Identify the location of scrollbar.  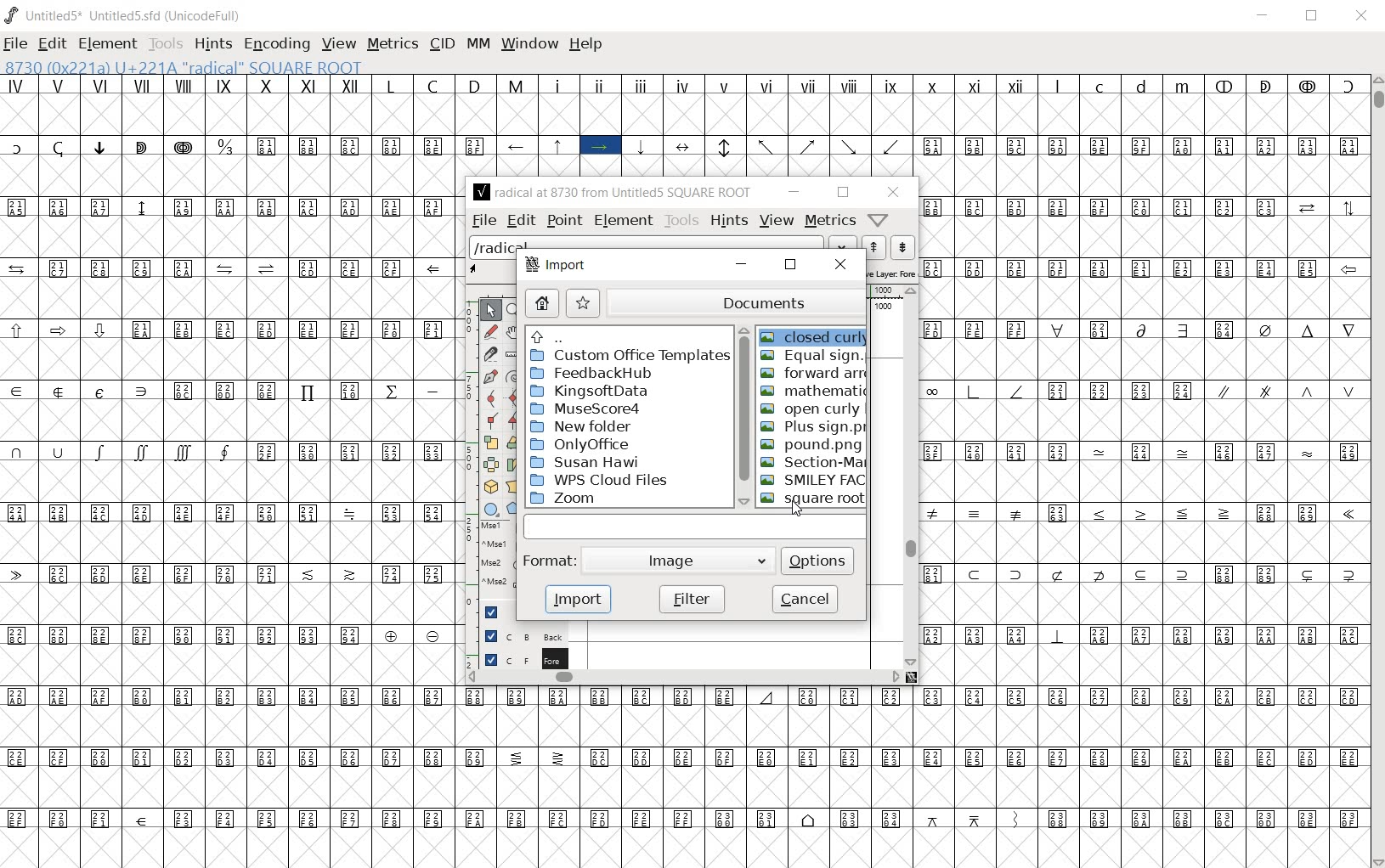
(684, 679).